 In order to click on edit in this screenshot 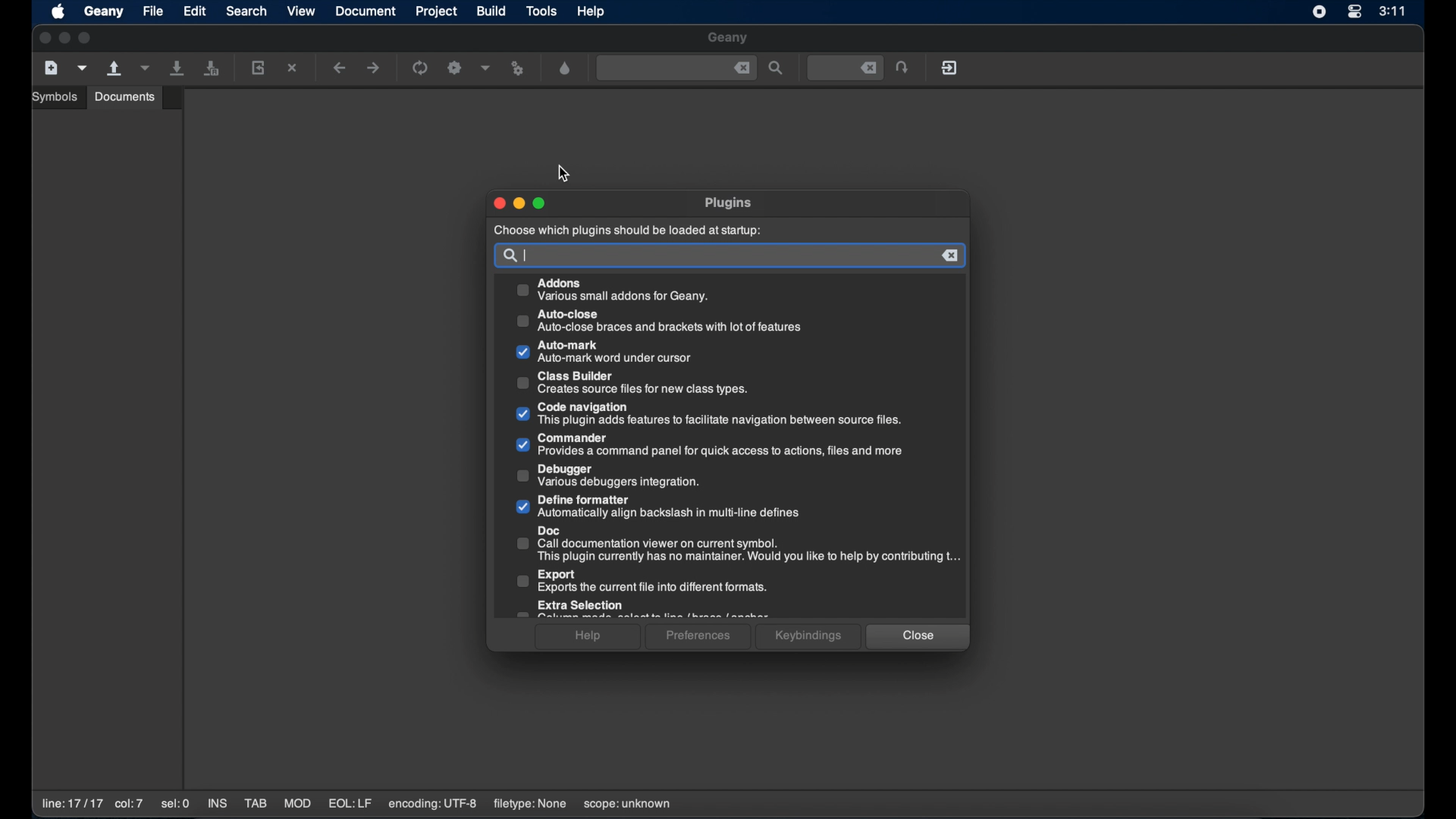, I will do `click(195, 11)`.